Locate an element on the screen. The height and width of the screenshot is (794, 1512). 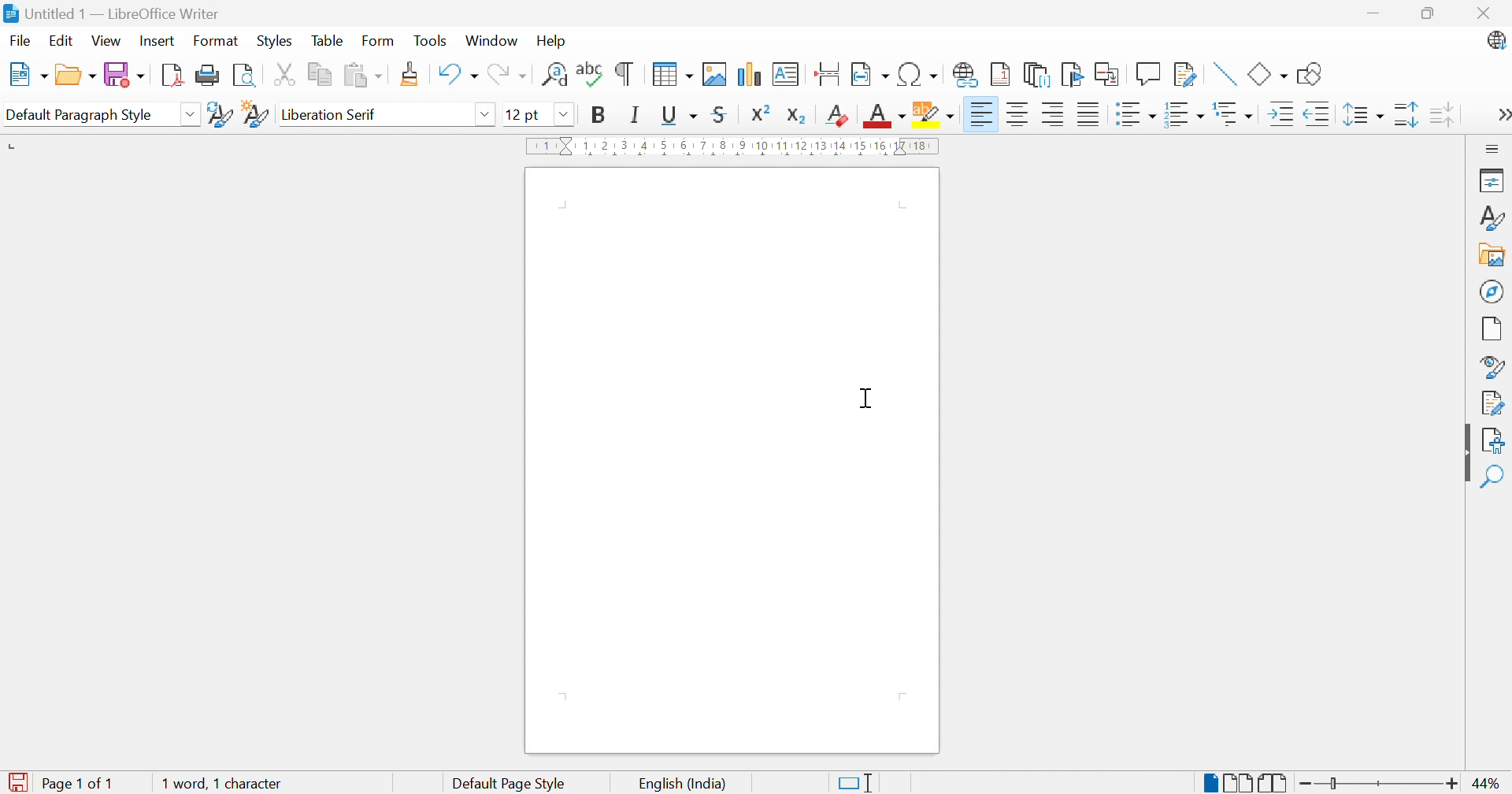
Insert special characters is located at coordinates (917, 75).